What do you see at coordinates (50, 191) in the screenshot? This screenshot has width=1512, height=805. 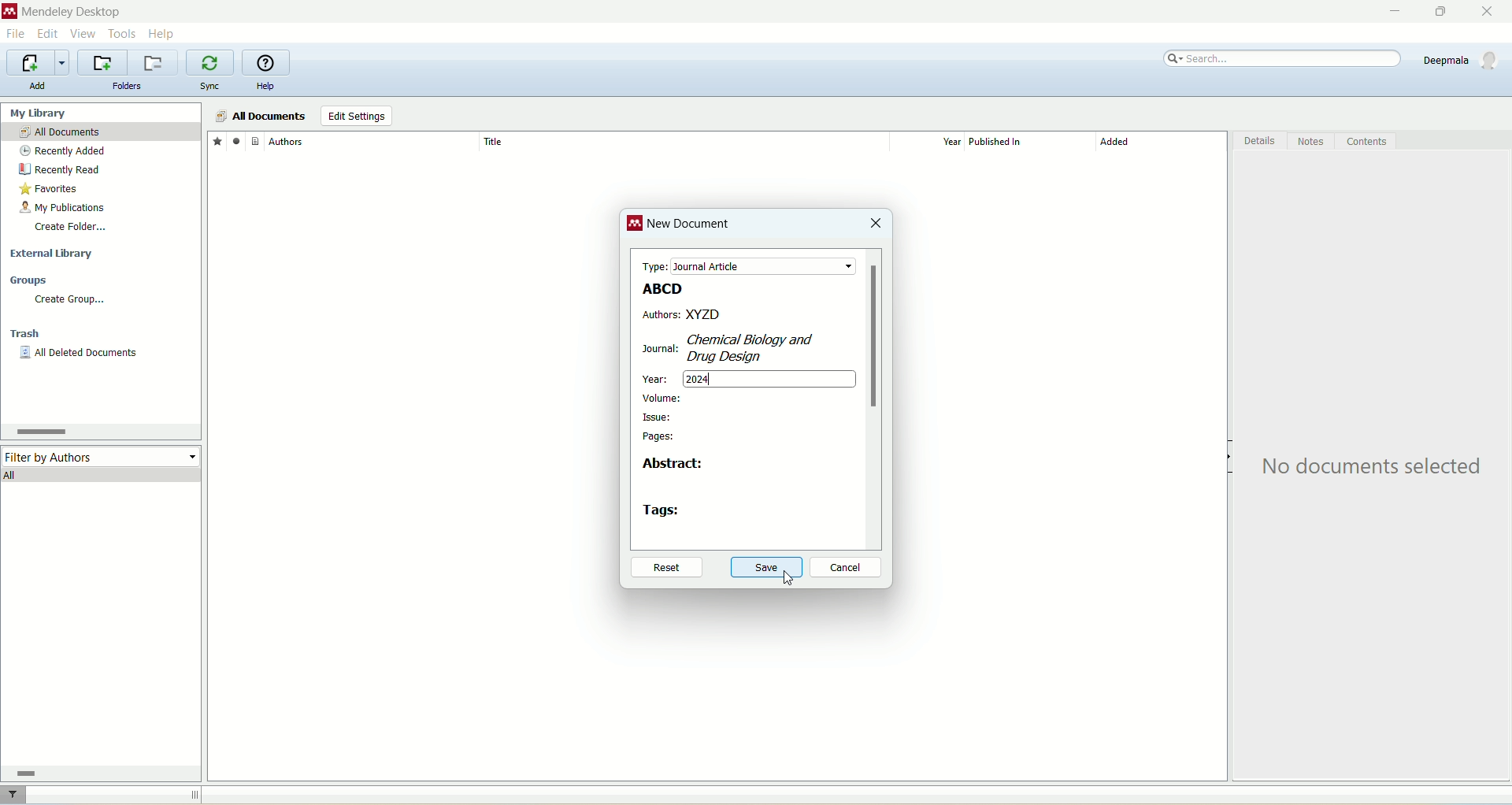 I see `favorites` at bounding box center [50, 191].